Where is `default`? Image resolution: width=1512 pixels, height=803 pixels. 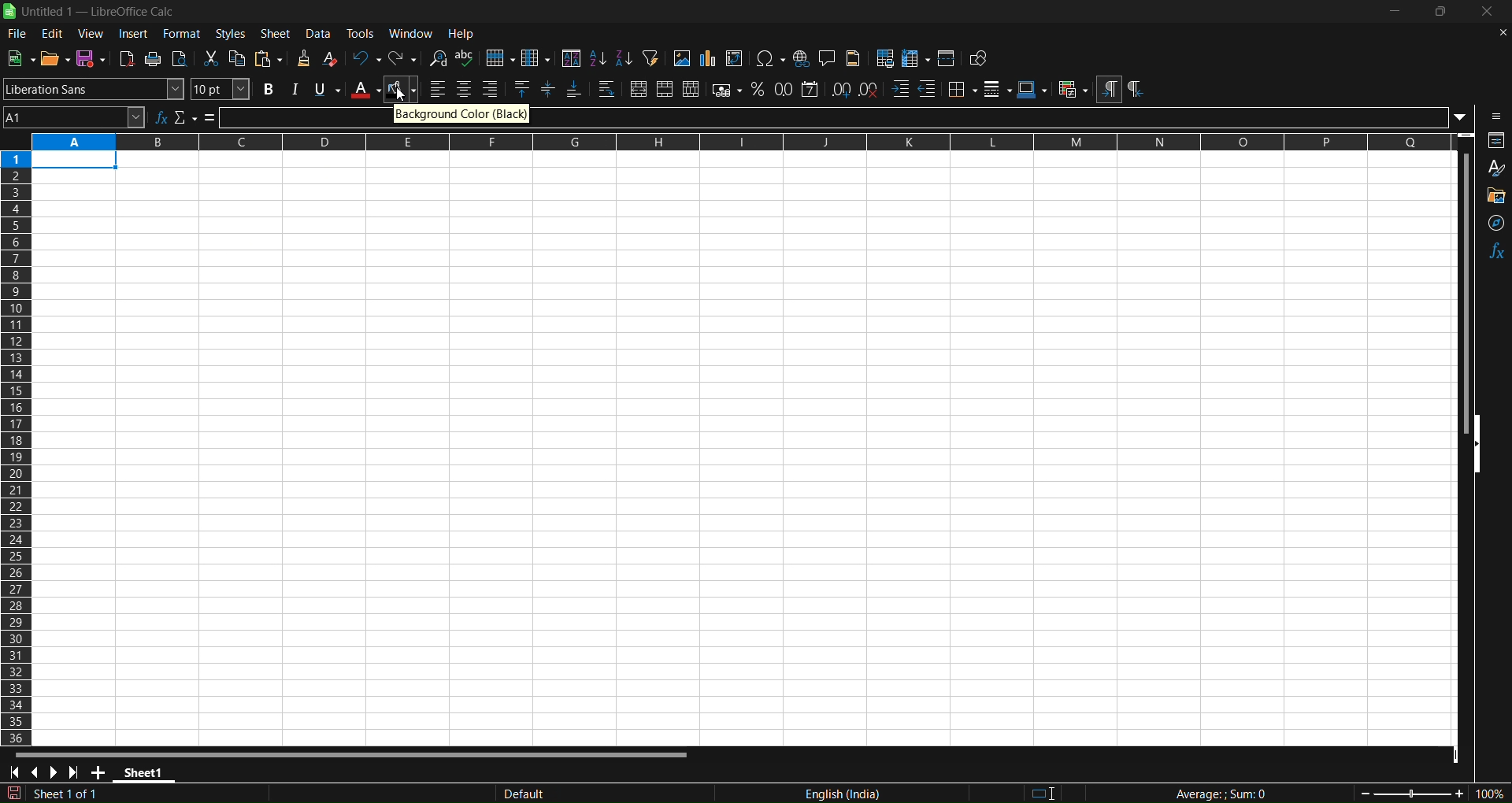 default is located at coordinates (601, 790).